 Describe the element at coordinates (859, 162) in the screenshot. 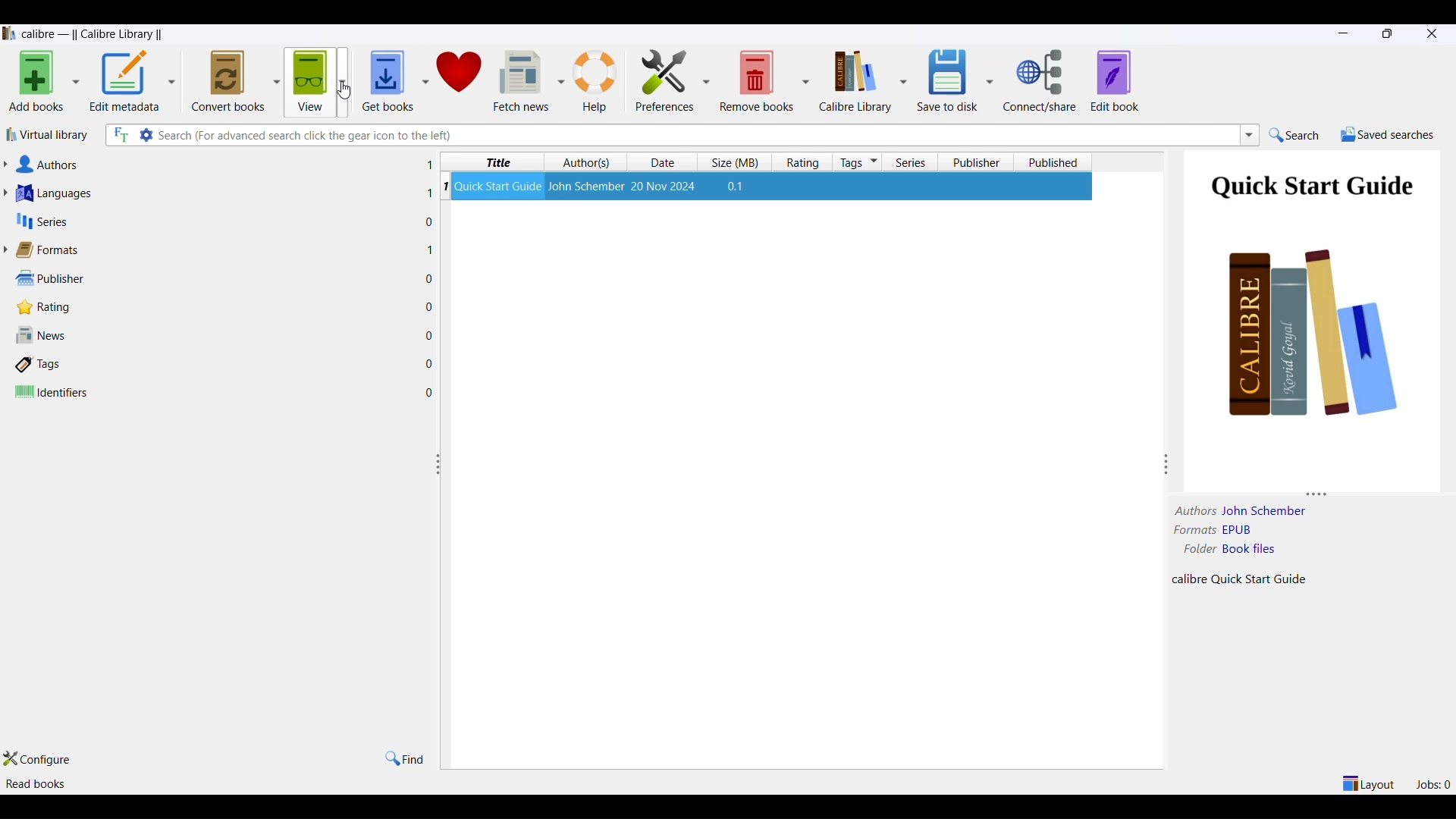

I see `tags` at that location.